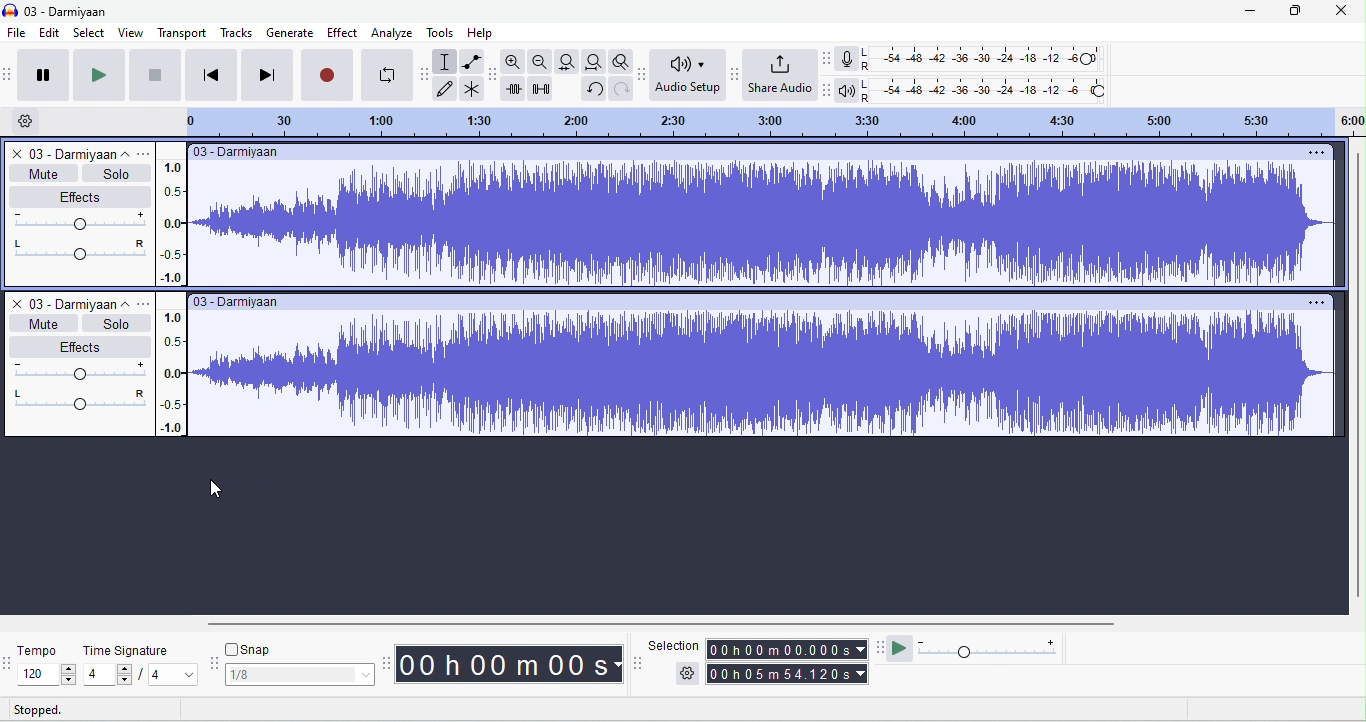  Describe the element at coordinates (846, 59) in the screenshot. I see `record meter` at that location.